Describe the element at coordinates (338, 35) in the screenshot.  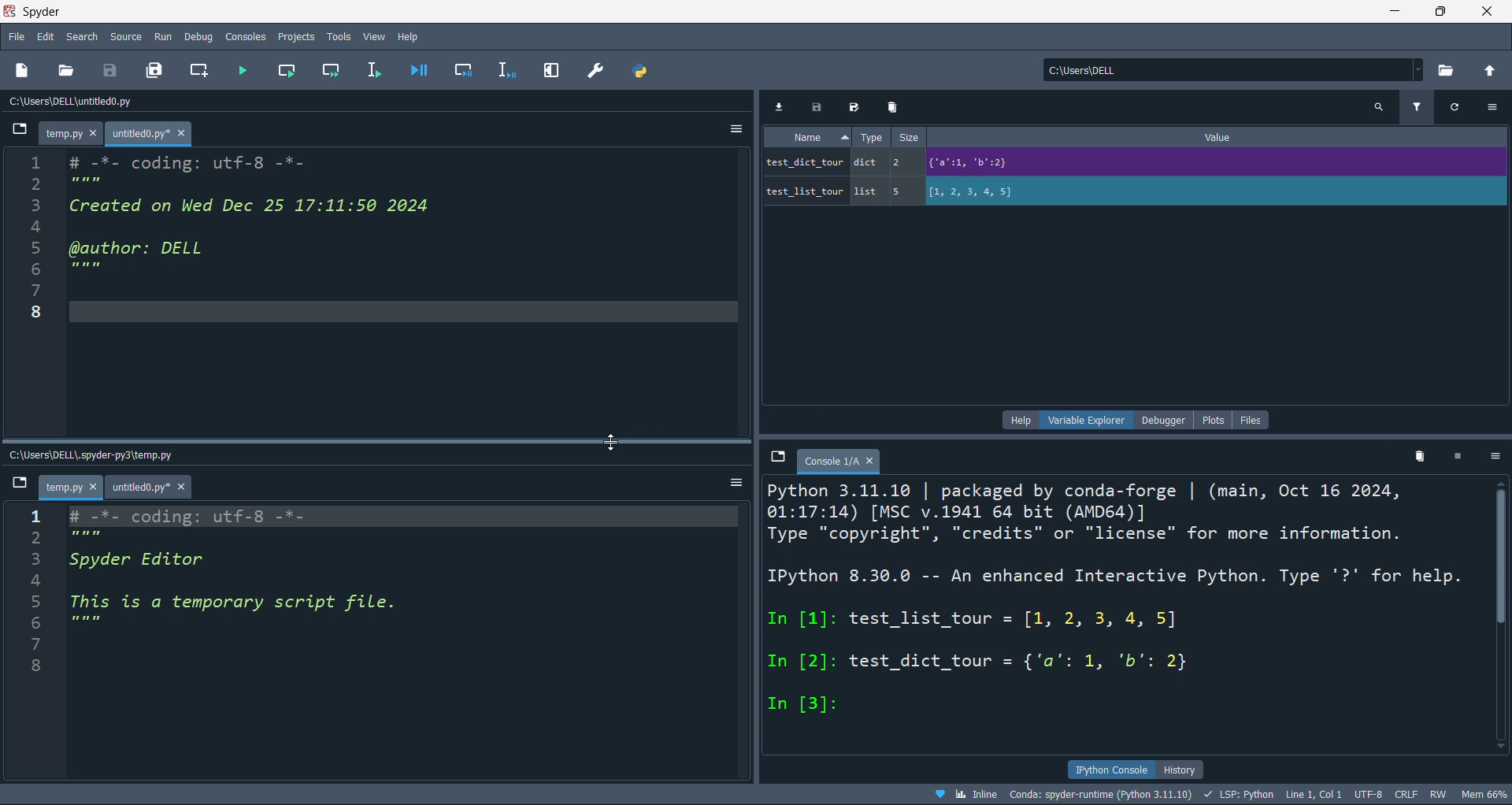
I see `tools` at that location.